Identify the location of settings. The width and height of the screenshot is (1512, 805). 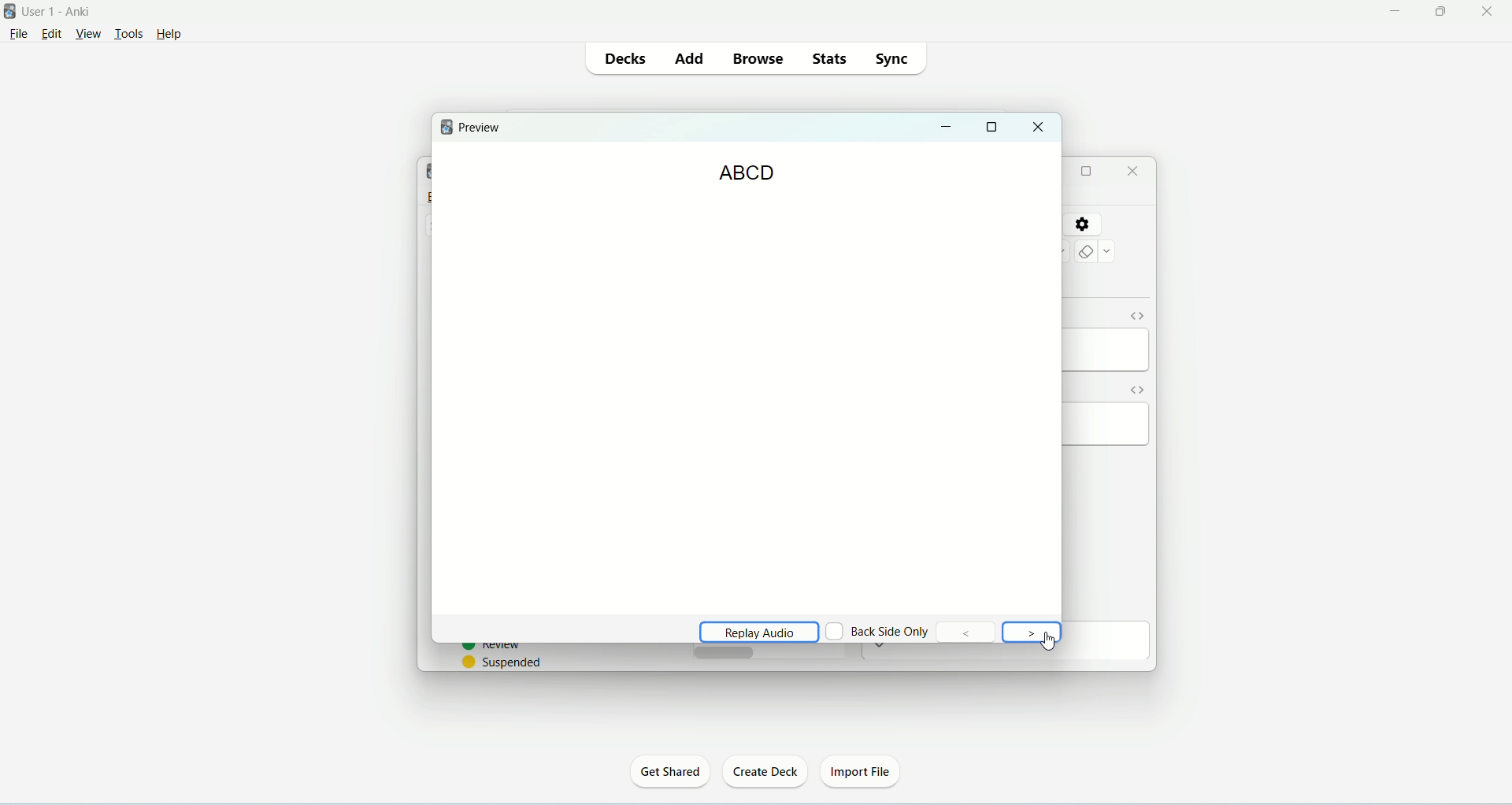
(1081, 225).